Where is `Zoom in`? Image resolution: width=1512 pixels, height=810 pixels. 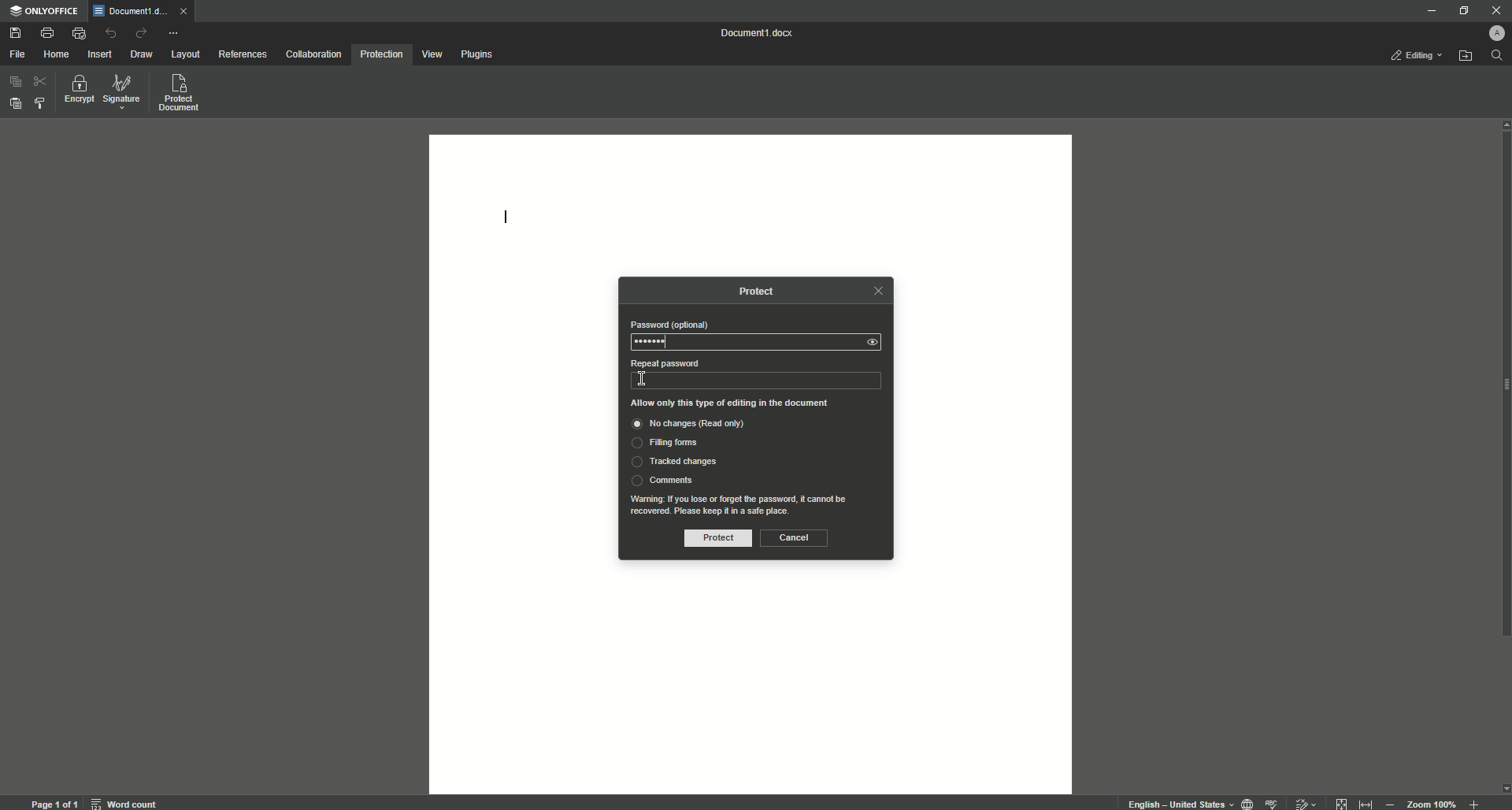 Zoom in is located at coordinates (1472, 803).